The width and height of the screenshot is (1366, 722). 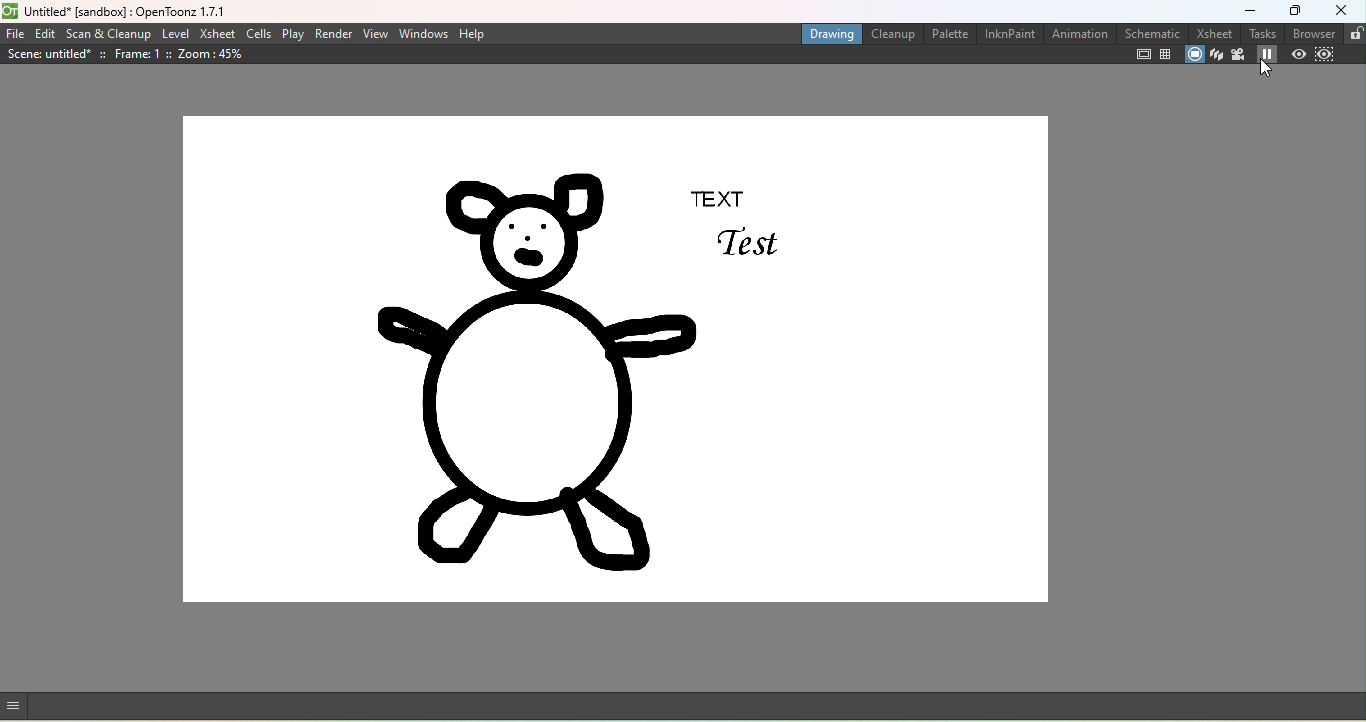 What do you see at coordinates (1267, 53) in the screenshot?
I see `Freeze` at bounding box center [1267, 53].